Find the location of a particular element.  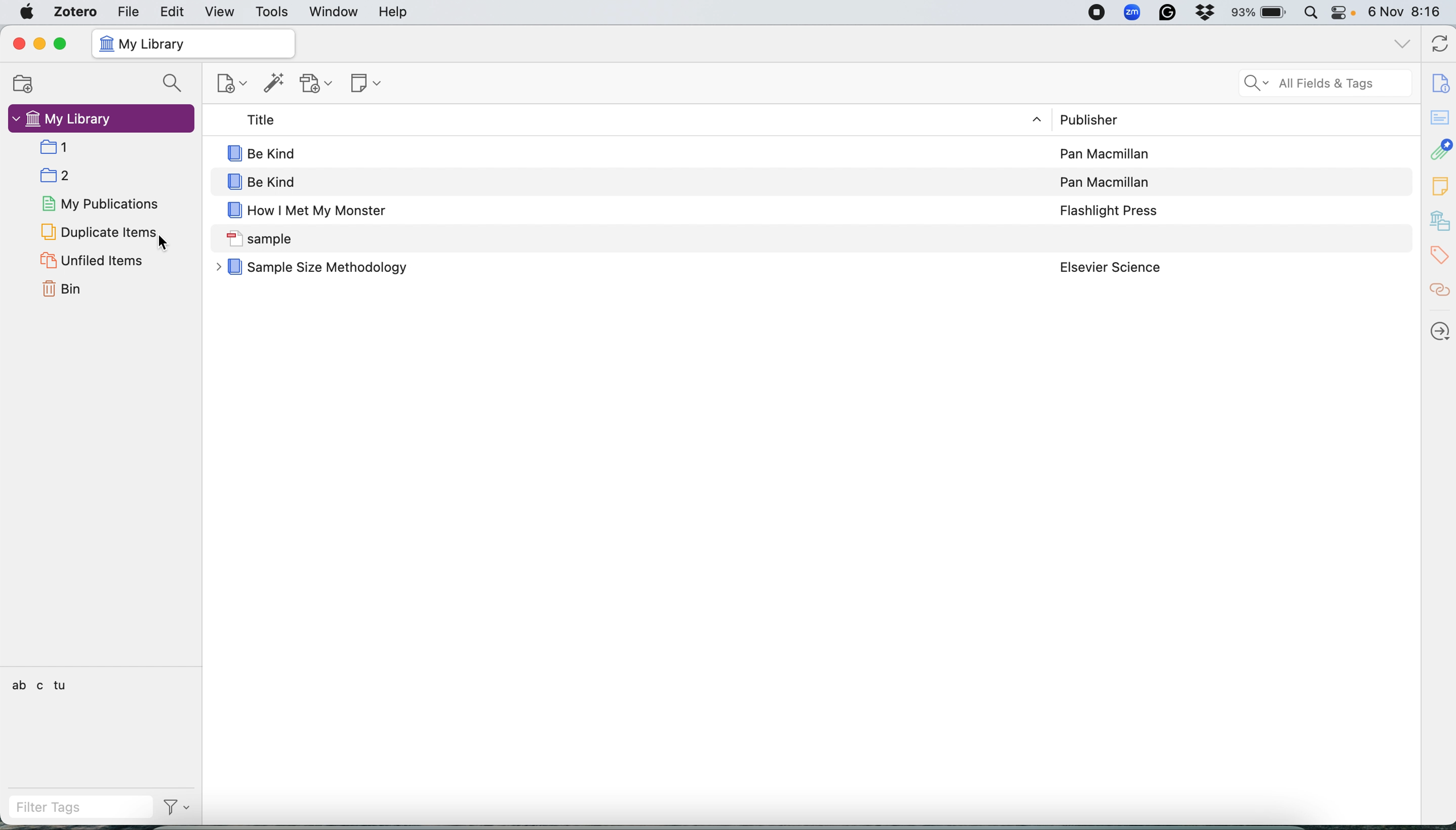

bin is located at coordinates (62, 288).